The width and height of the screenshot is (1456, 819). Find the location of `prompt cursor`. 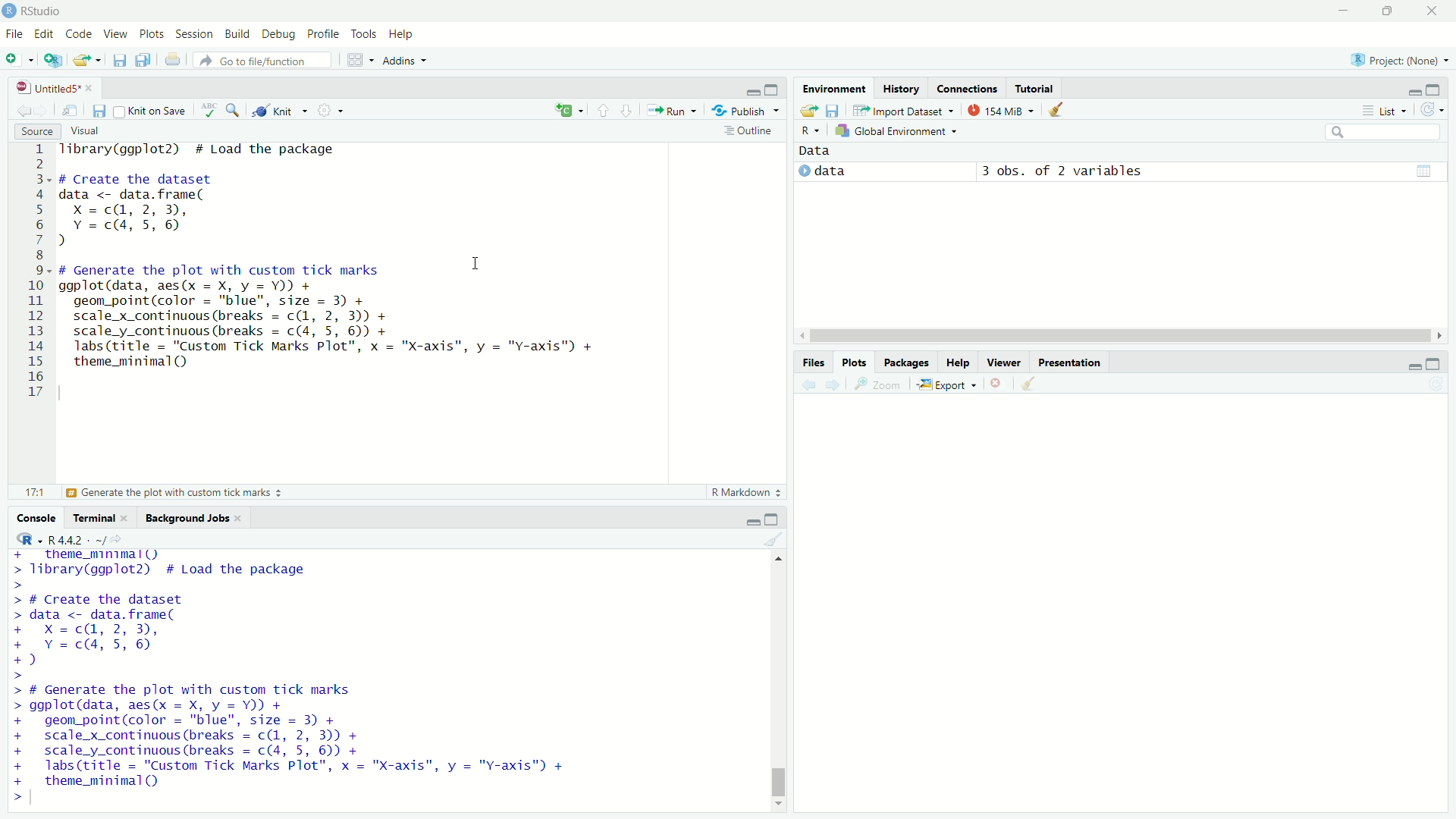

prompt cursor is located at coordinates (19, 677).